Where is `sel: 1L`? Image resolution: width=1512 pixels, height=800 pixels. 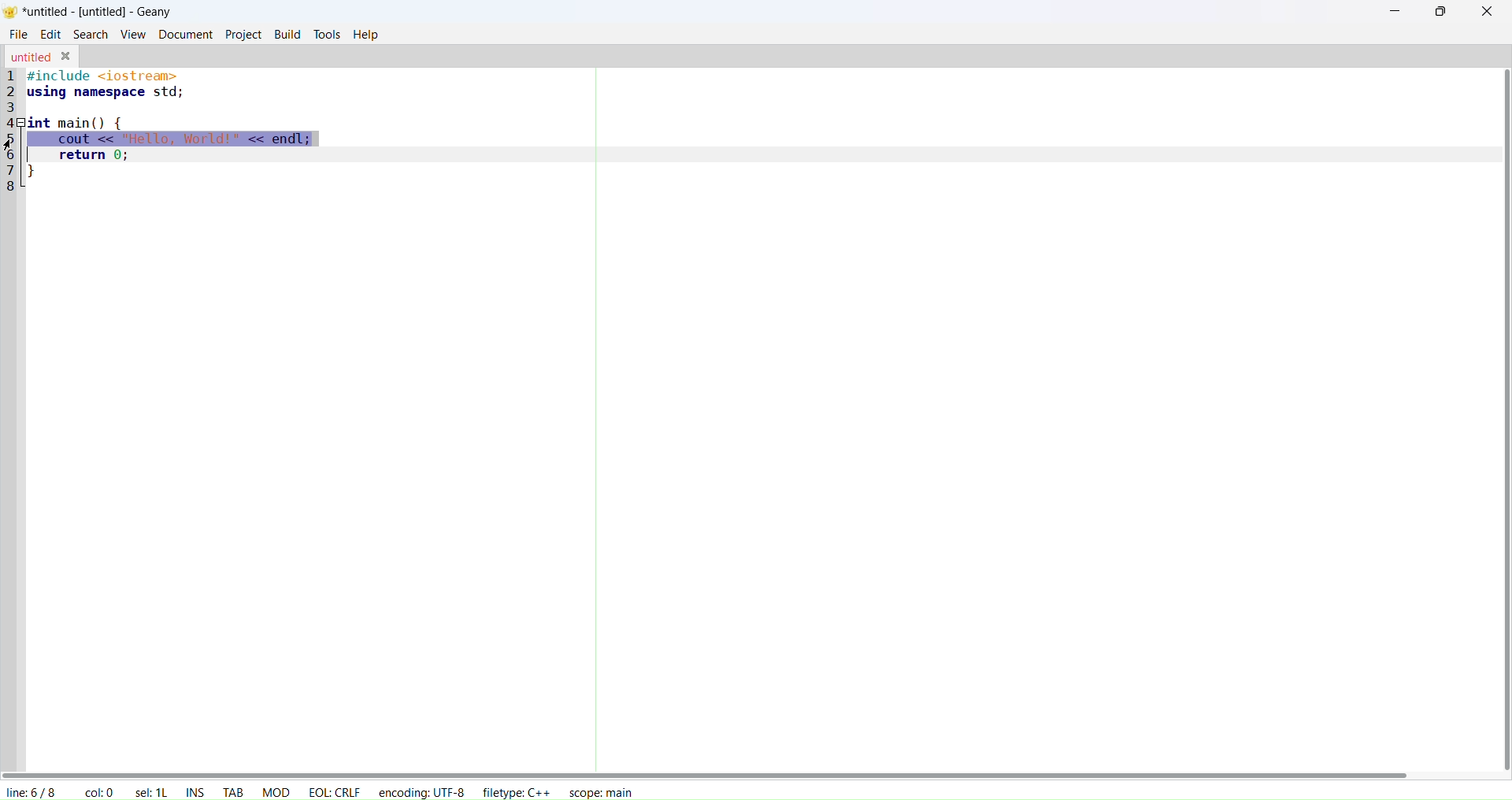
sel: 1L is located at coordinates (151, 790).